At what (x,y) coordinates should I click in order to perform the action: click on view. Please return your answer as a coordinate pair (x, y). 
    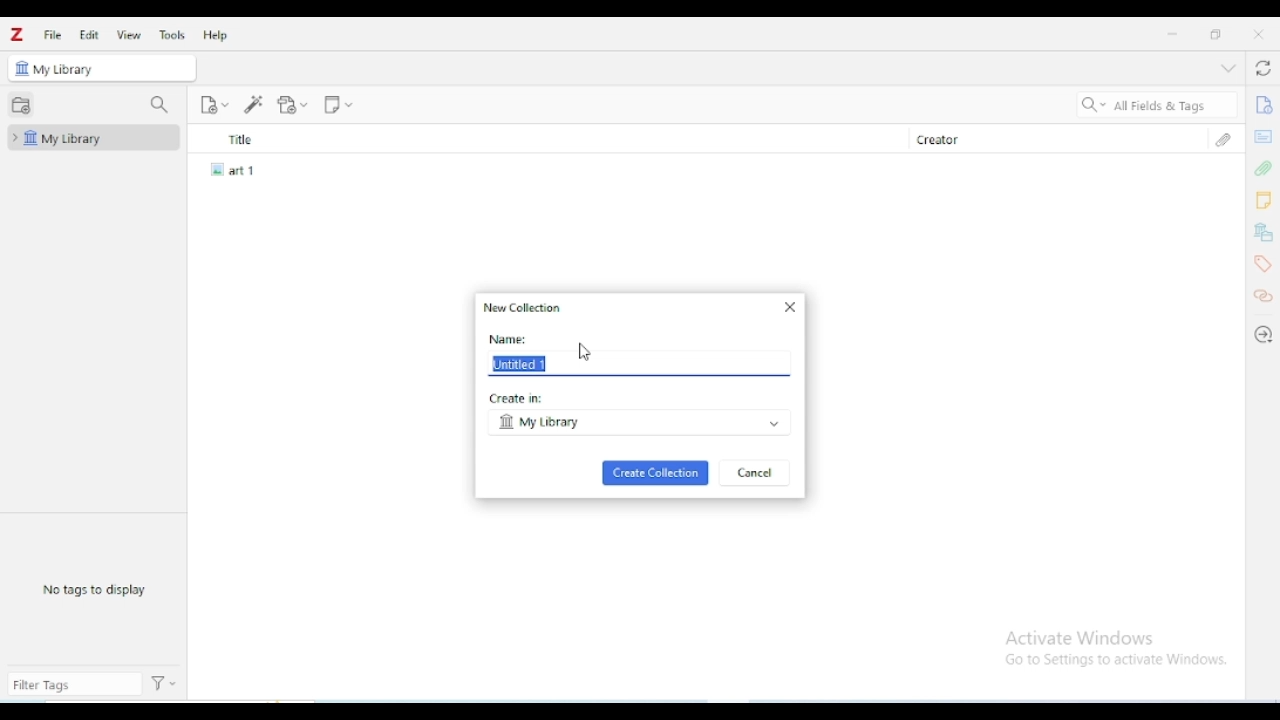
    Looking at the image, I should click on (129, 35).